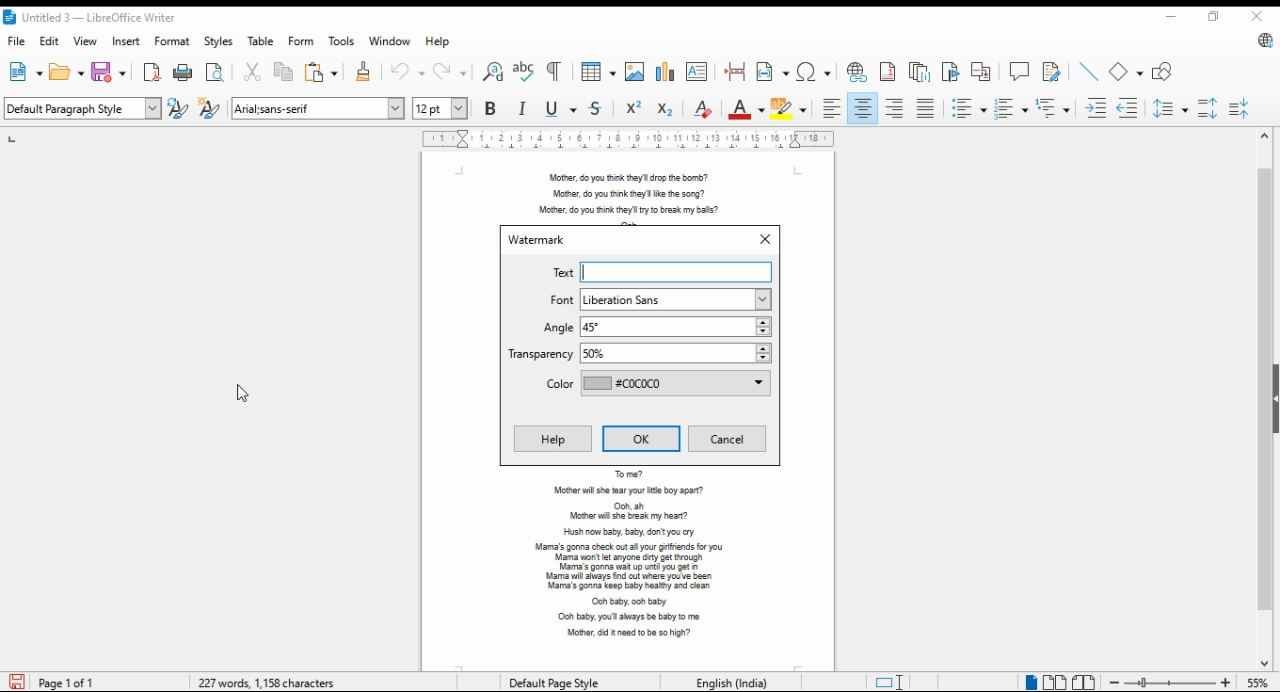 The height and width of the screenshot is (692, 1280). I want to click on insert hyperlink, so click(854, 72).